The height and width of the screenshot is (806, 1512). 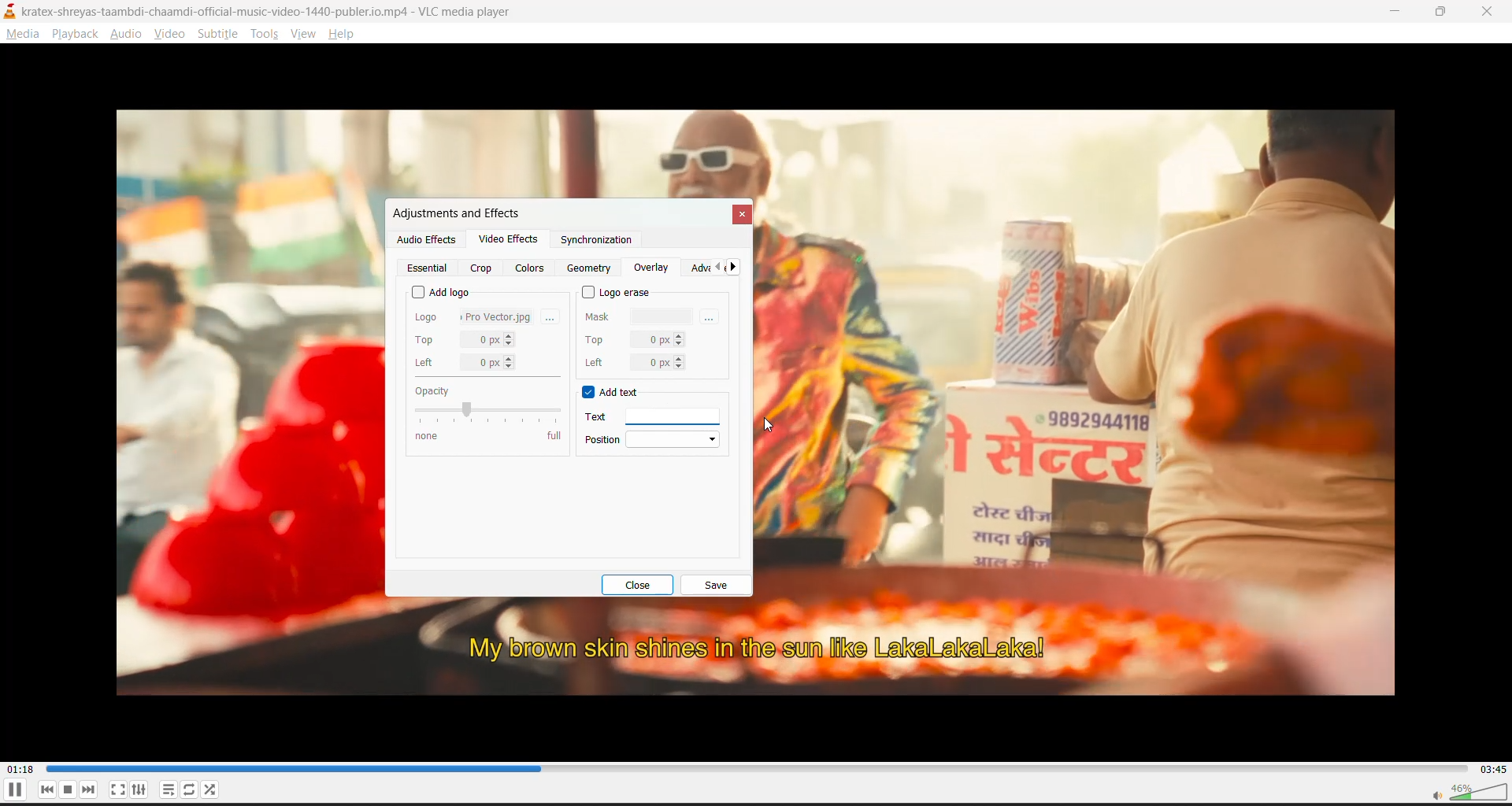 I want to click on My brown skin shines in the sun like LakaLakaLaka!, so click(x=758, y=649).